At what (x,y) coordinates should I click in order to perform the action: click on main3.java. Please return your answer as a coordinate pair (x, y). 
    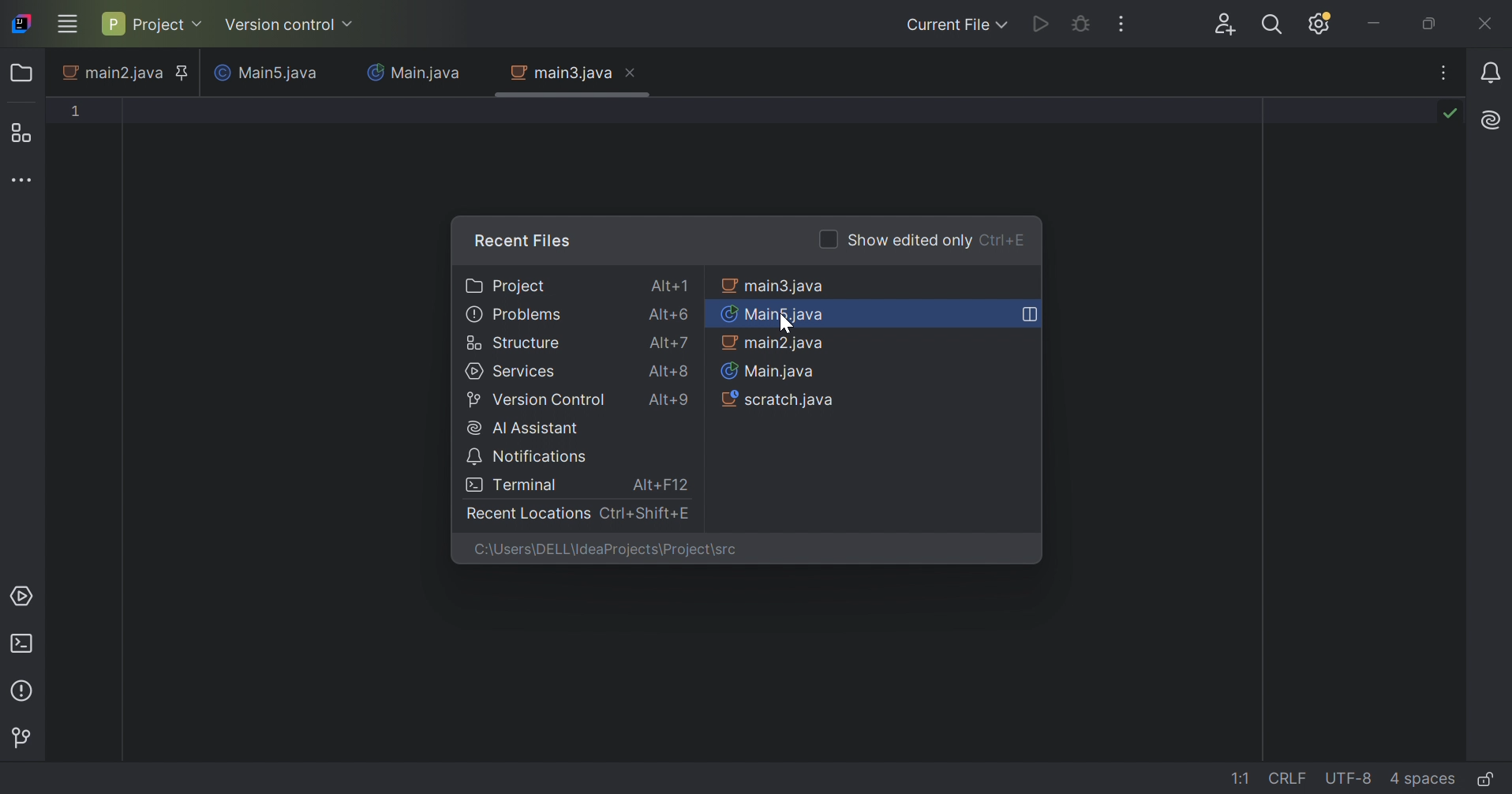
    Looking at the image, I should click on (560, 73).